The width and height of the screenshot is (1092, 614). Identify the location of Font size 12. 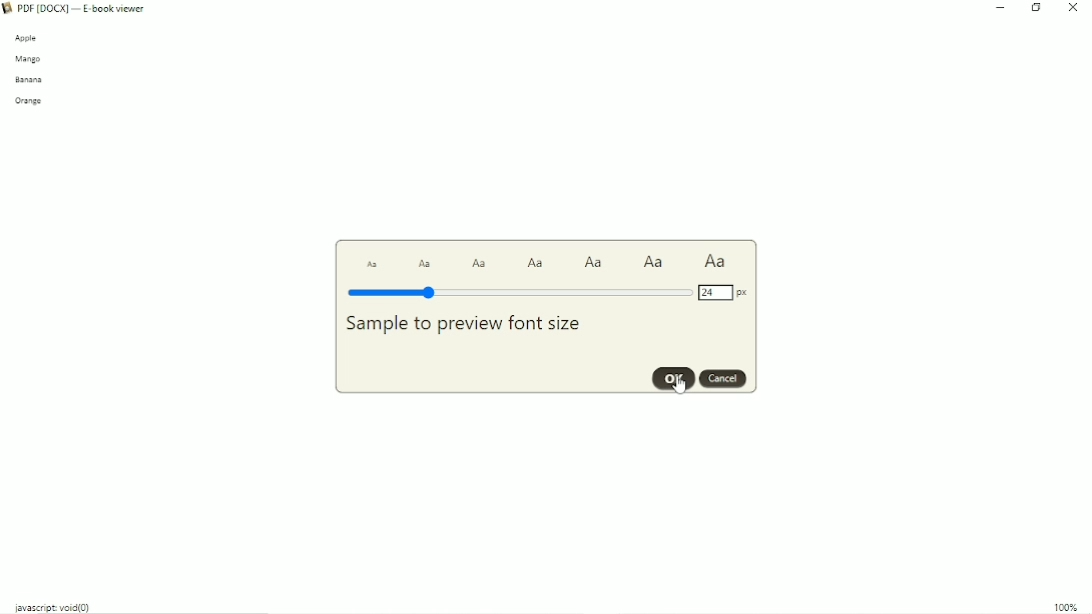
(520, 293).